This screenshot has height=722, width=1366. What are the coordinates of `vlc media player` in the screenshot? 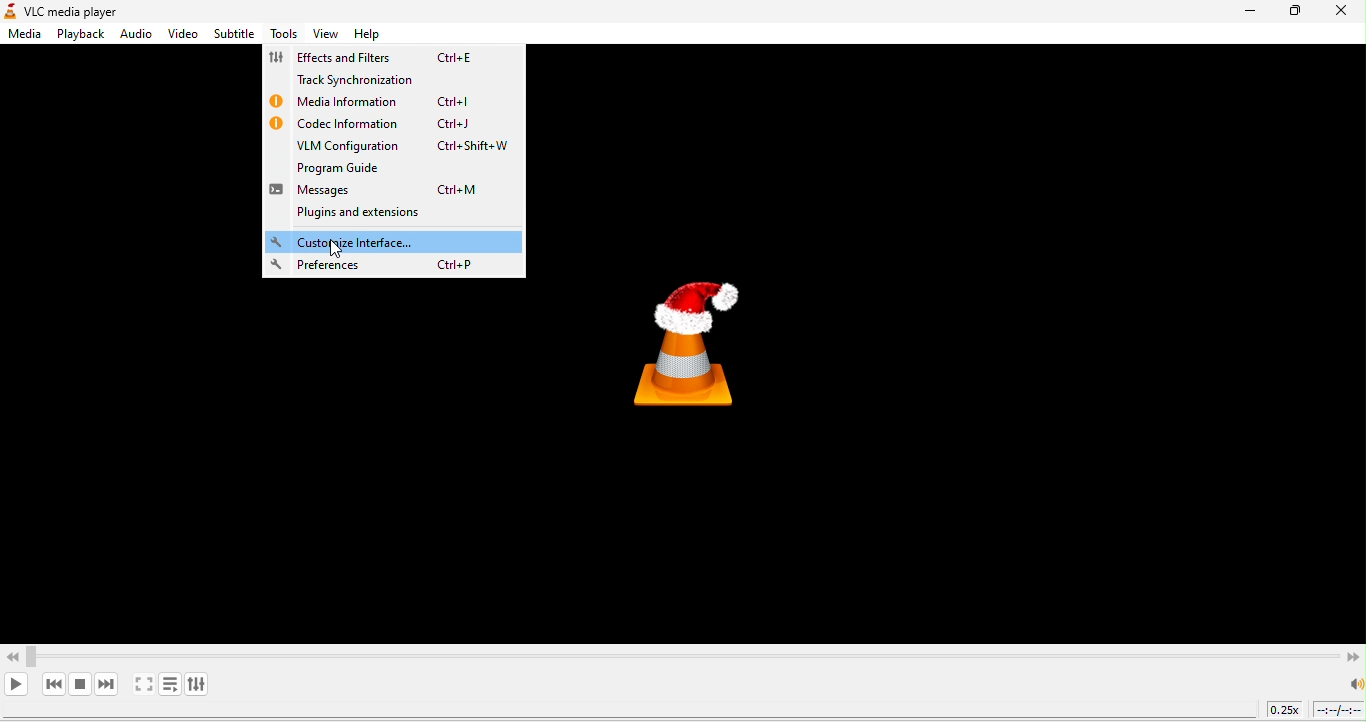 It's located at (79, 12).